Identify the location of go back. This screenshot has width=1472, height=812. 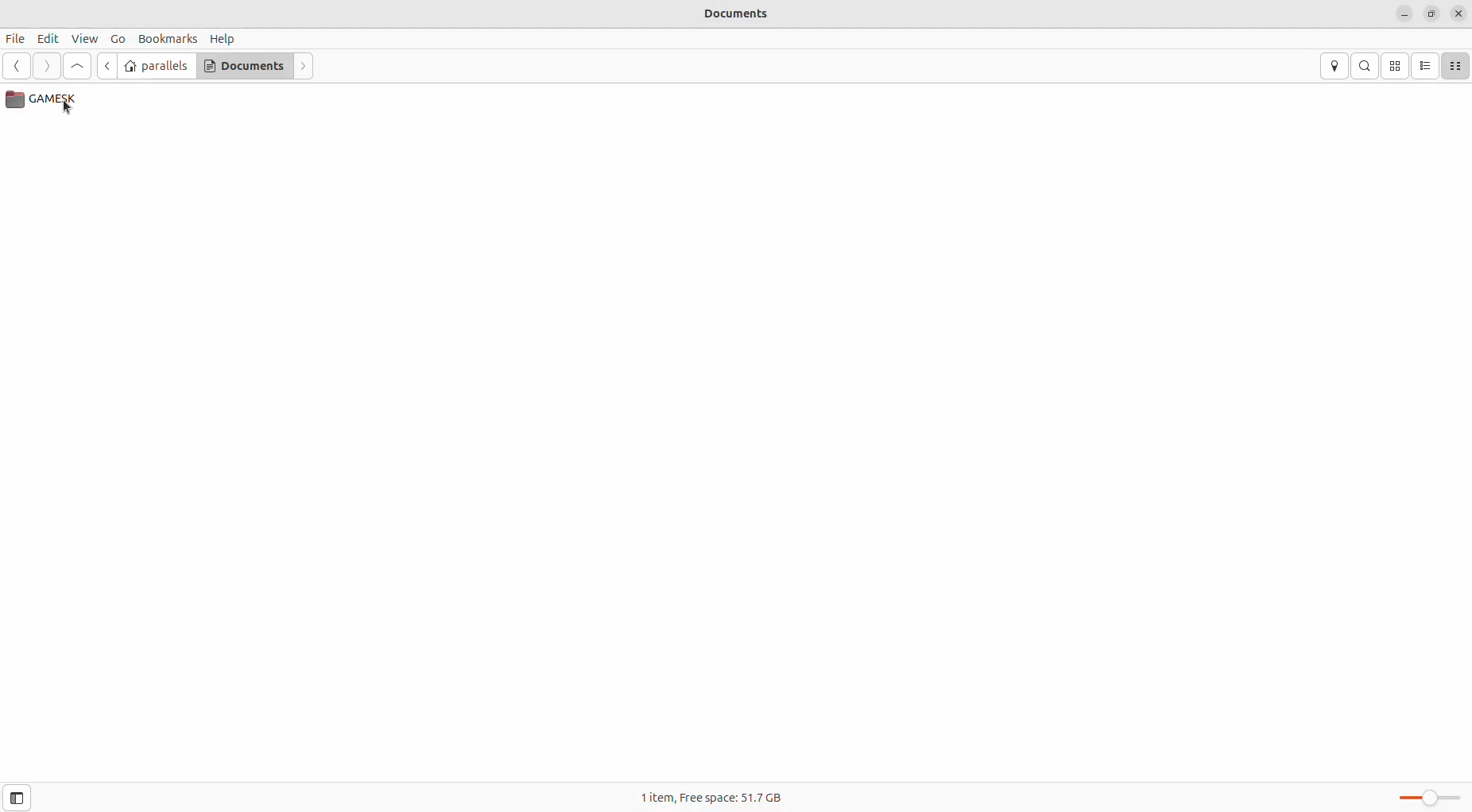
(107, 66).